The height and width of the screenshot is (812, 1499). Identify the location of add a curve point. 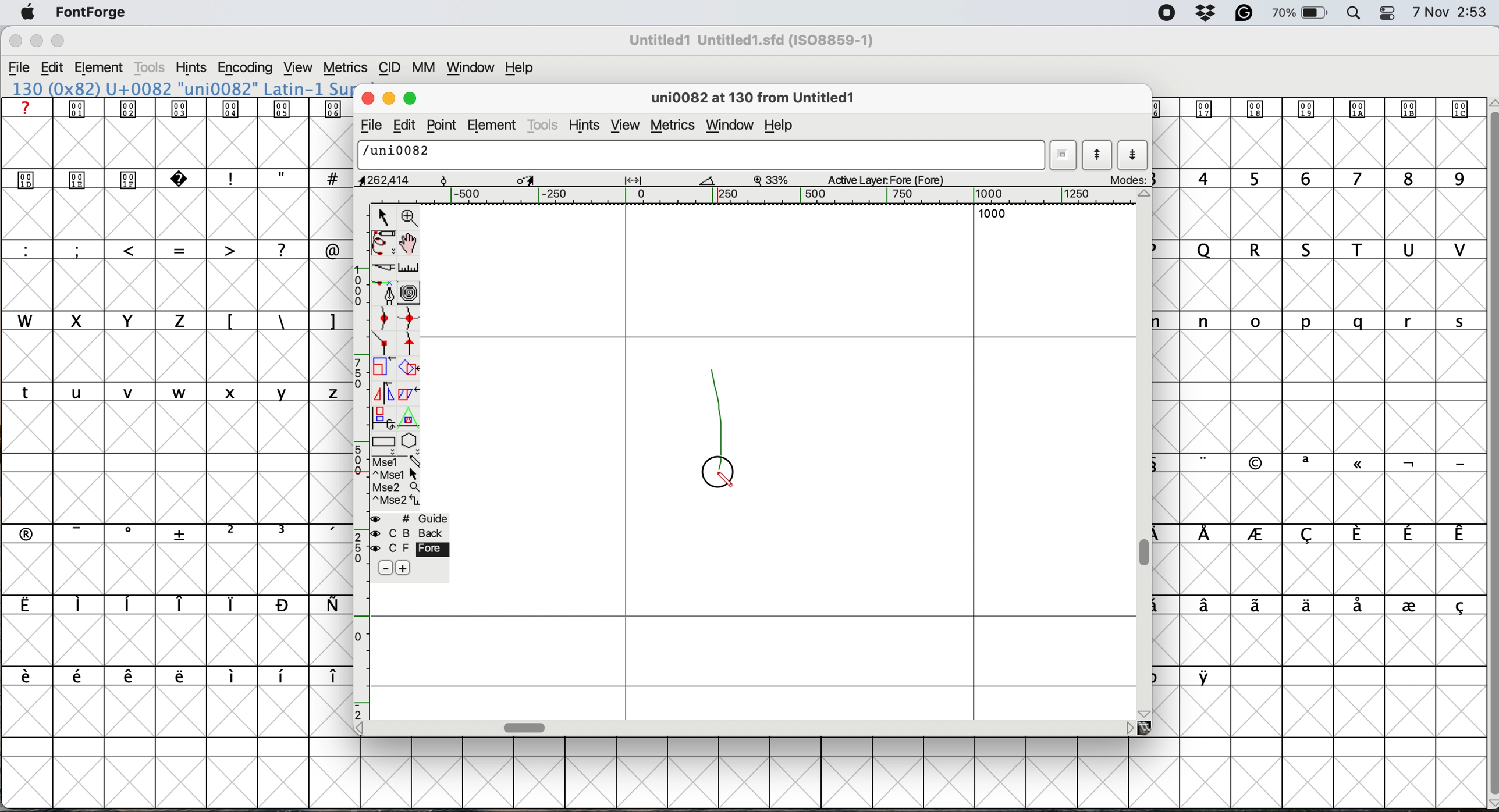
(386, 320).